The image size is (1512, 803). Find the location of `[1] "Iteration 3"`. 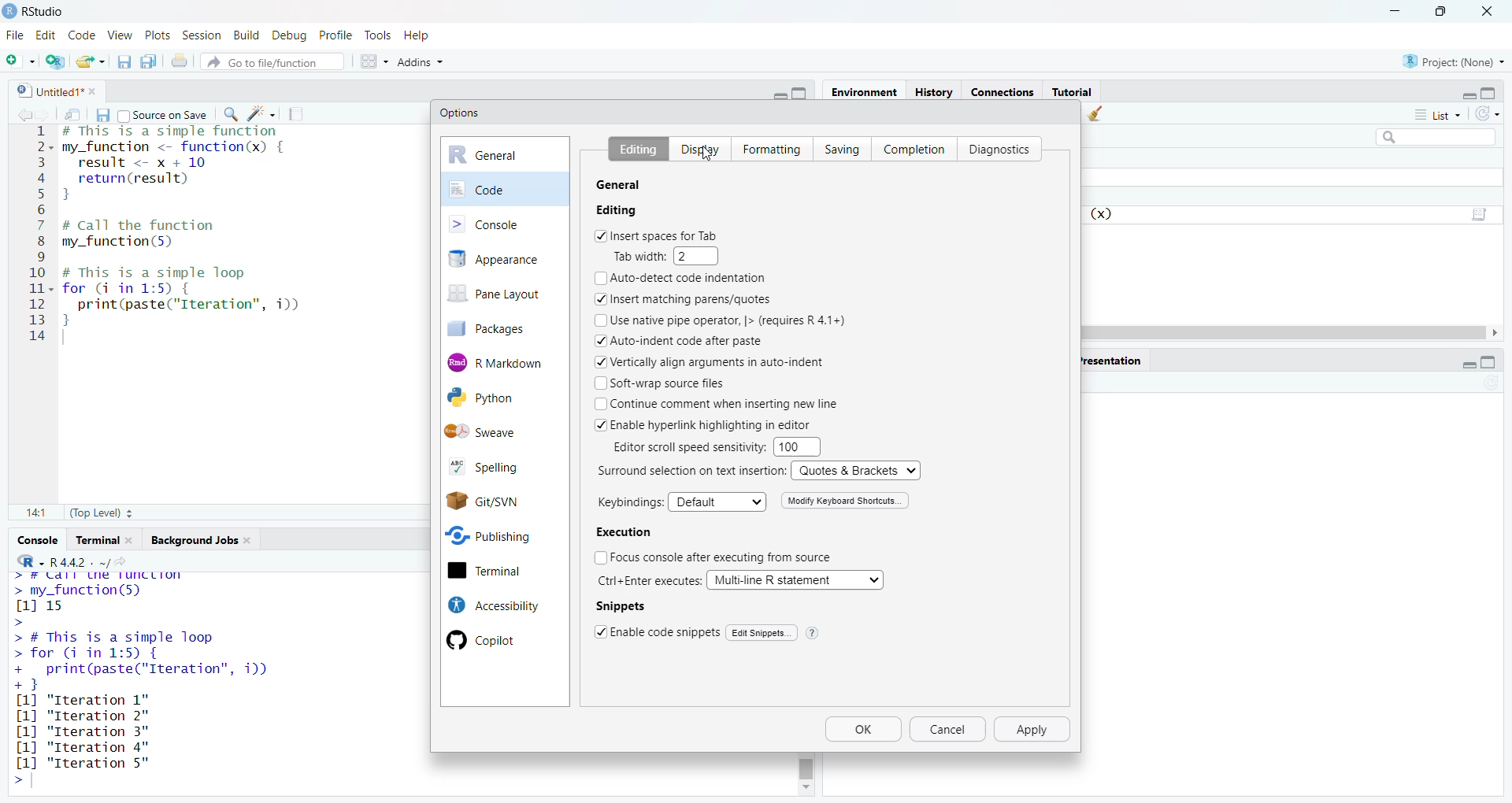

[1] "Iteration 3" is located at coordinates (81, 732).